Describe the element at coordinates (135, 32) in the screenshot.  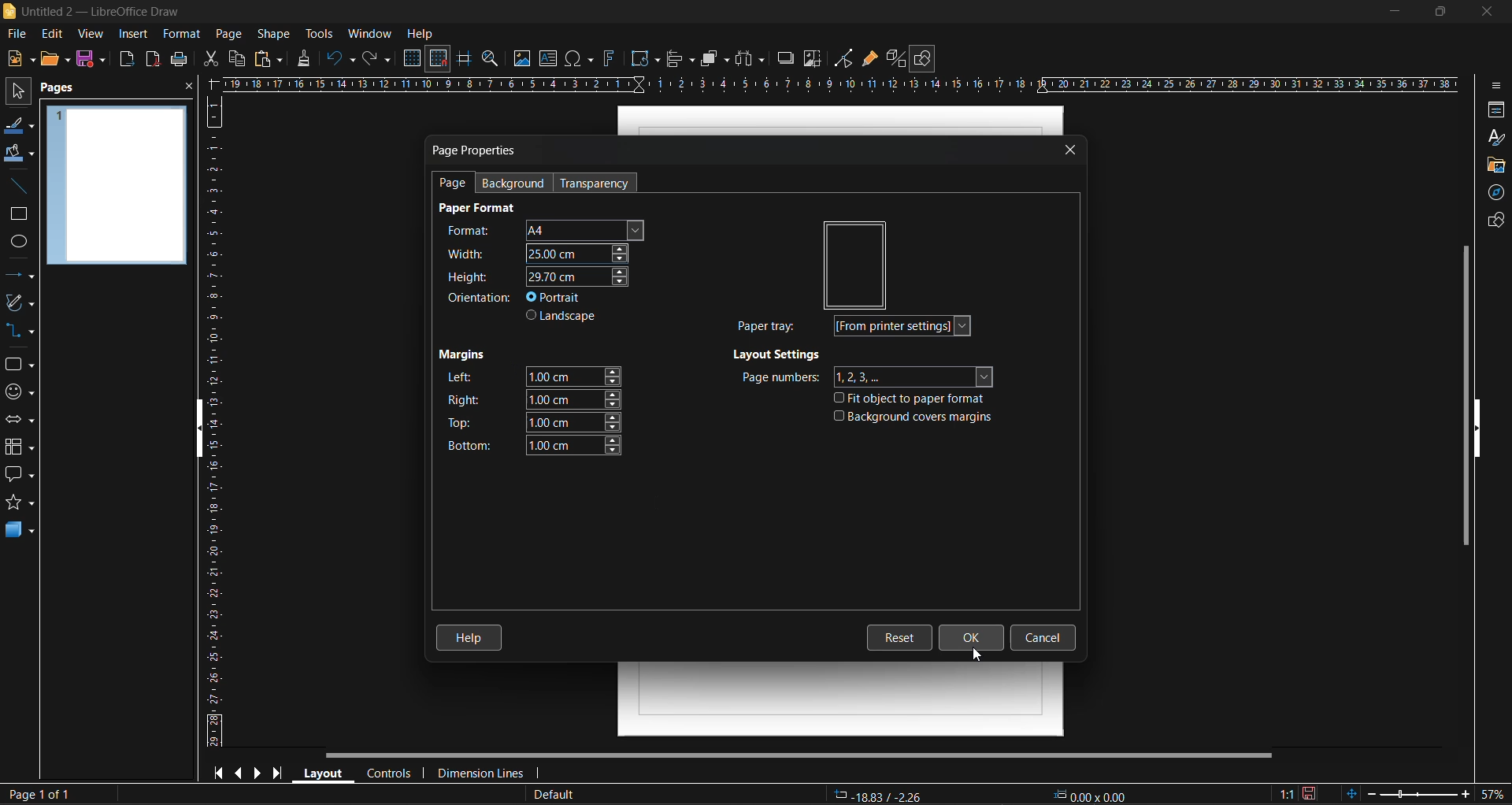
I see `insert` at that location.